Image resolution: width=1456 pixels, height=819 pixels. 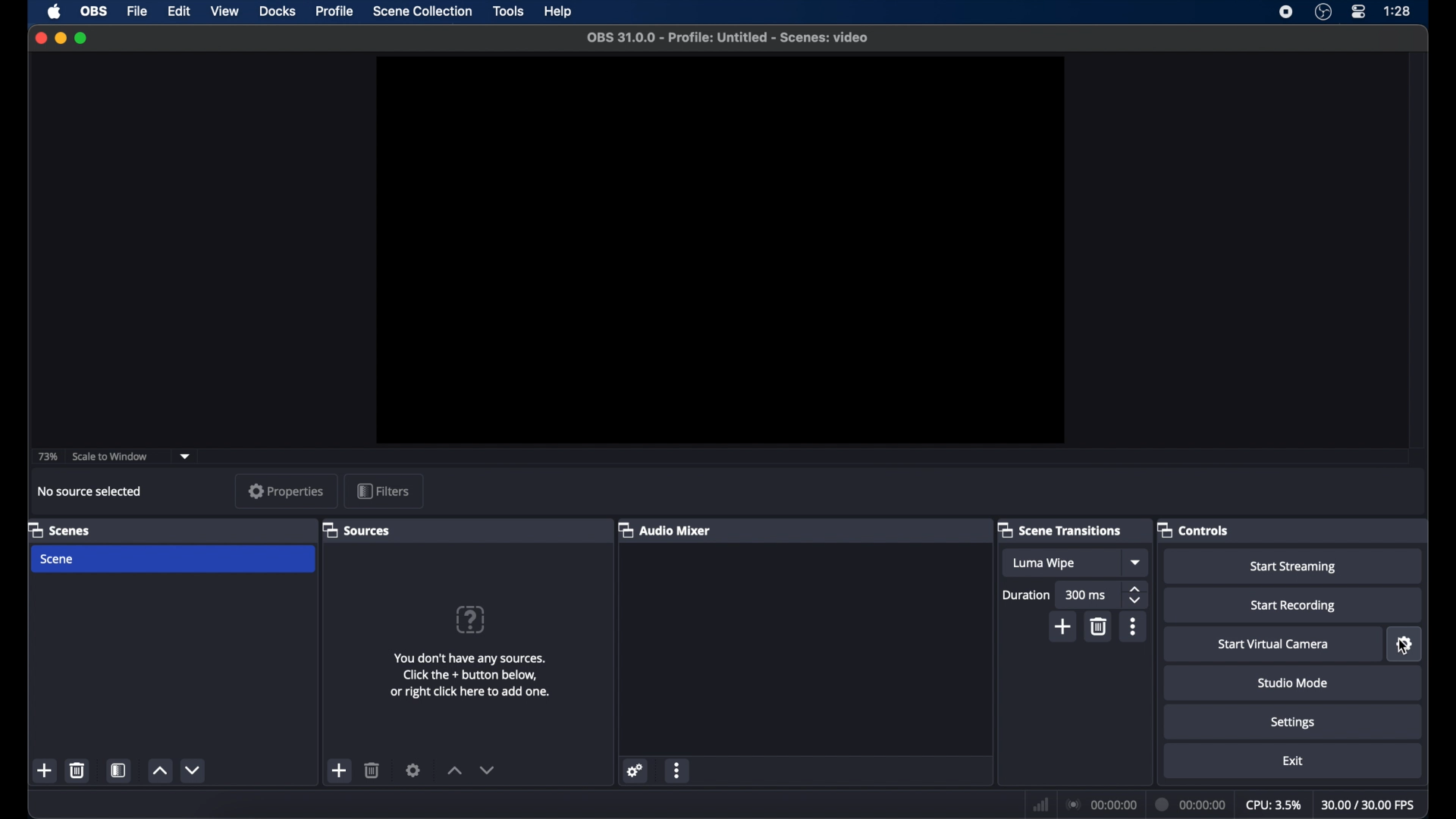 I want to click on file, so click(x=136, y=12).